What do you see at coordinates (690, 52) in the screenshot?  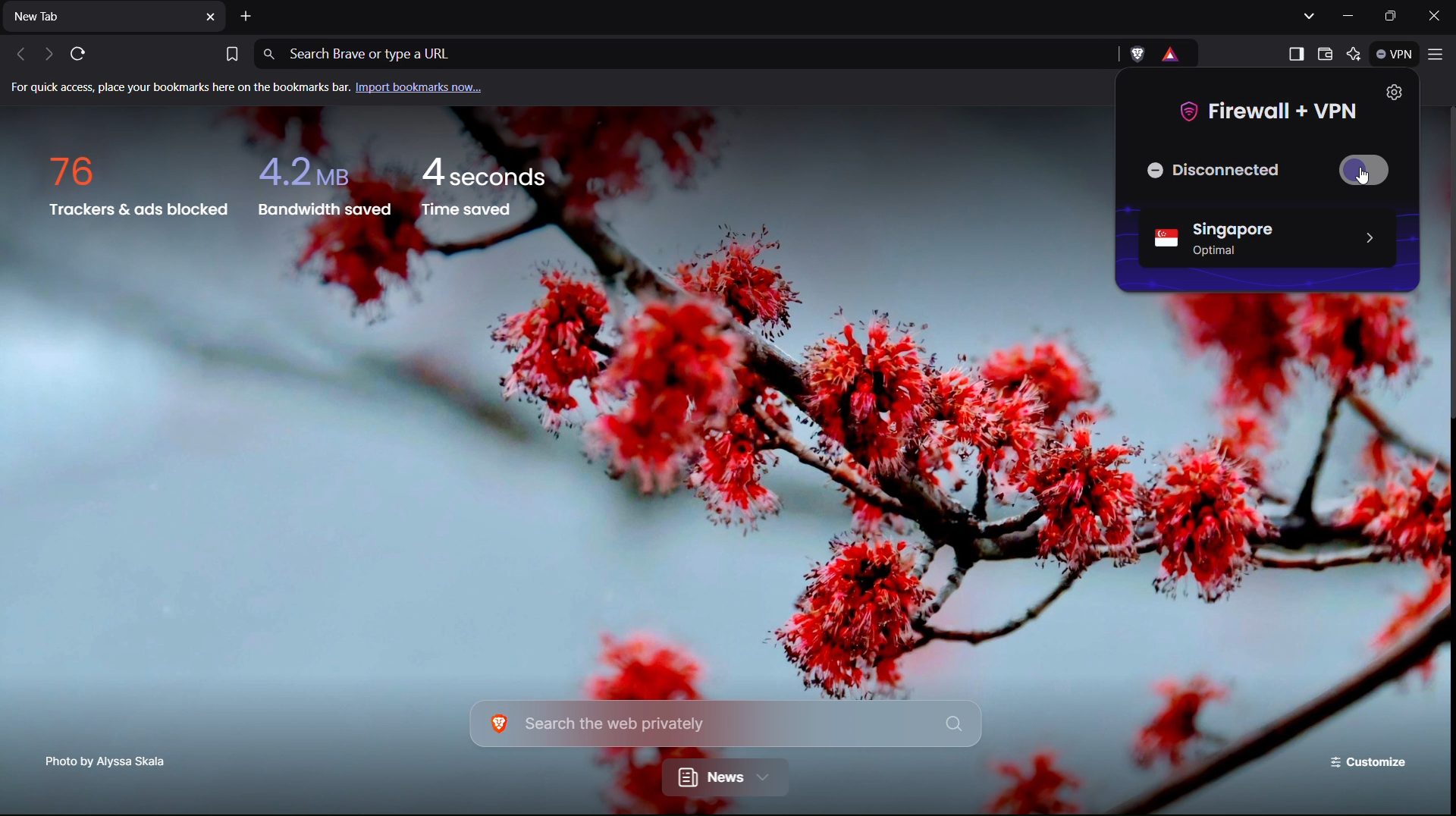 I see `Address Bar` at bounding box center [690, 52].